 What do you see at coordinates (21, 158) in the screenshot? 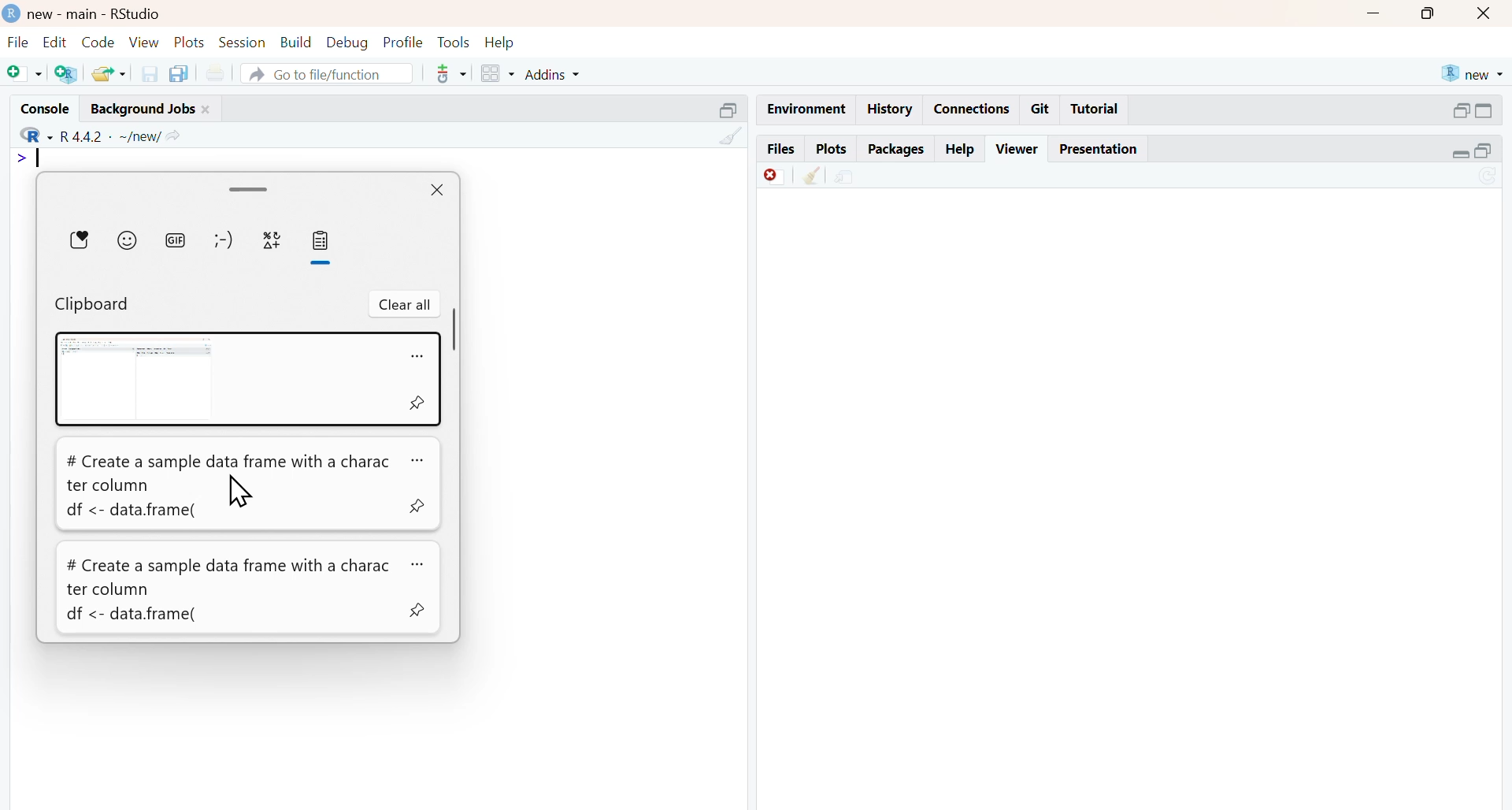
I see `>` at bounding box center [21, 158].